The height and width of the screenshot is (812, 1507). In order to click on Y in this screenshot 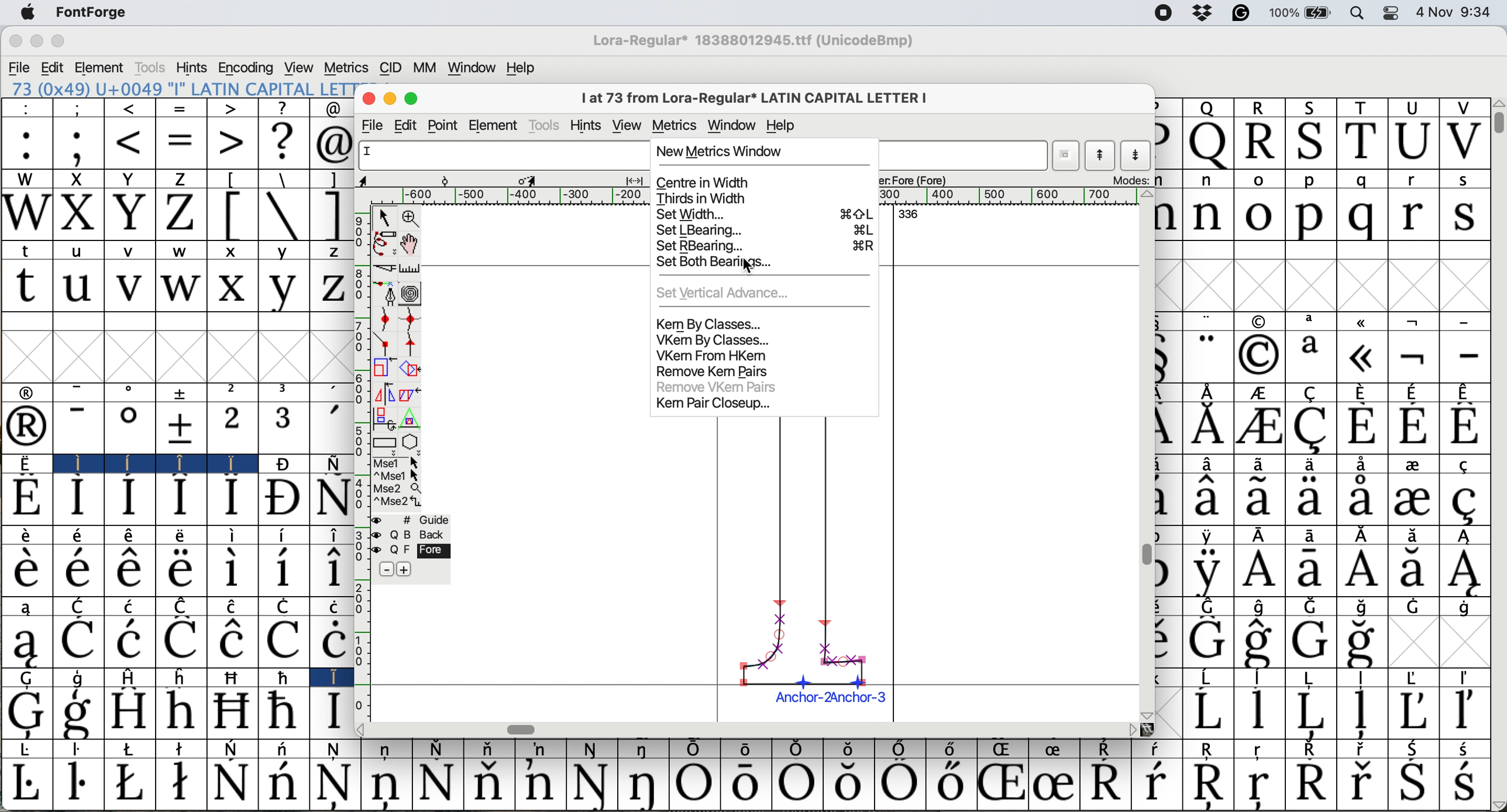, I will do `click(129, 180)`.